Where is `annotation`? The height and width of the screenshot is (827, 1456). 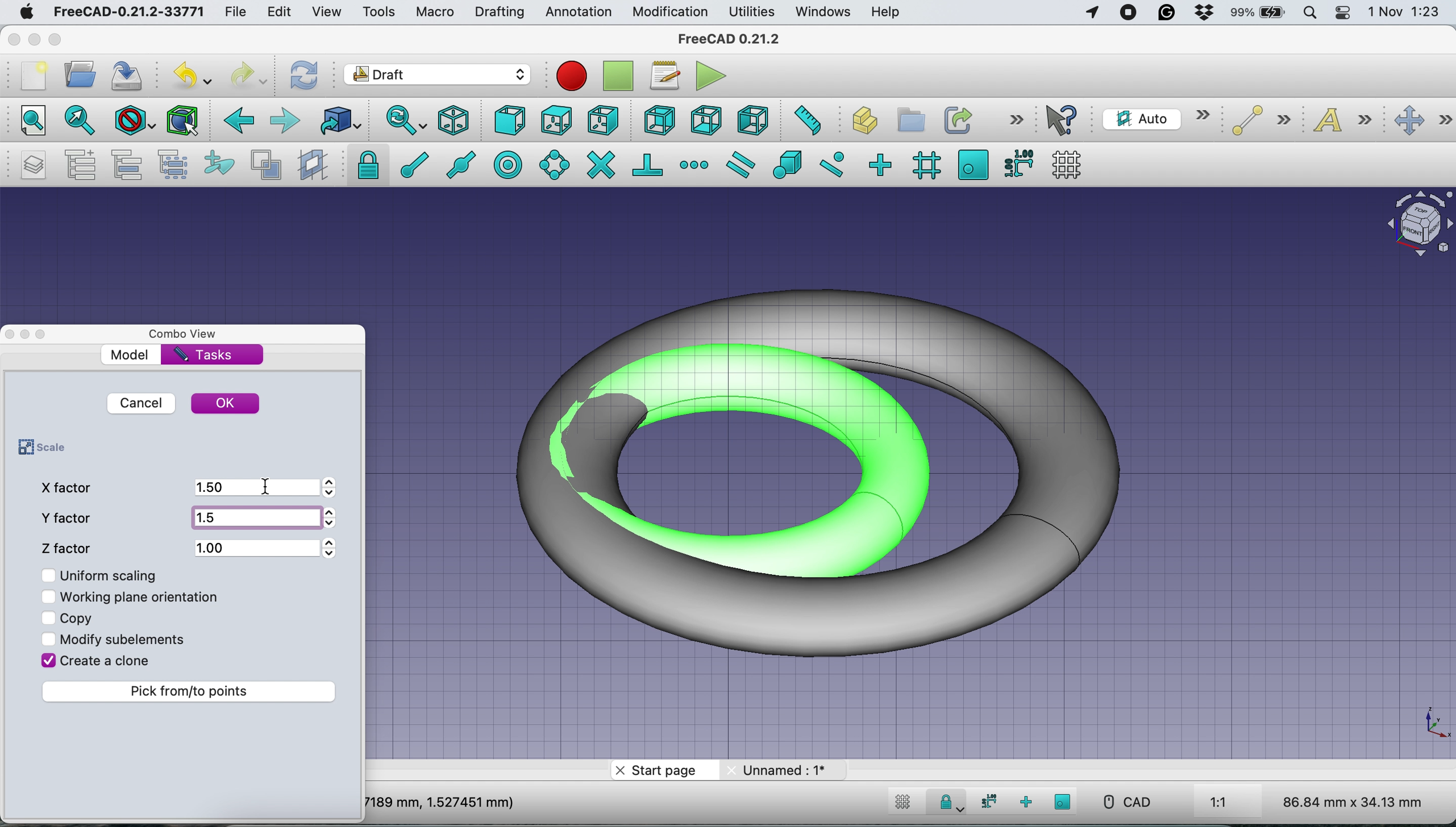
annotation is located at coordinates (578, 12).